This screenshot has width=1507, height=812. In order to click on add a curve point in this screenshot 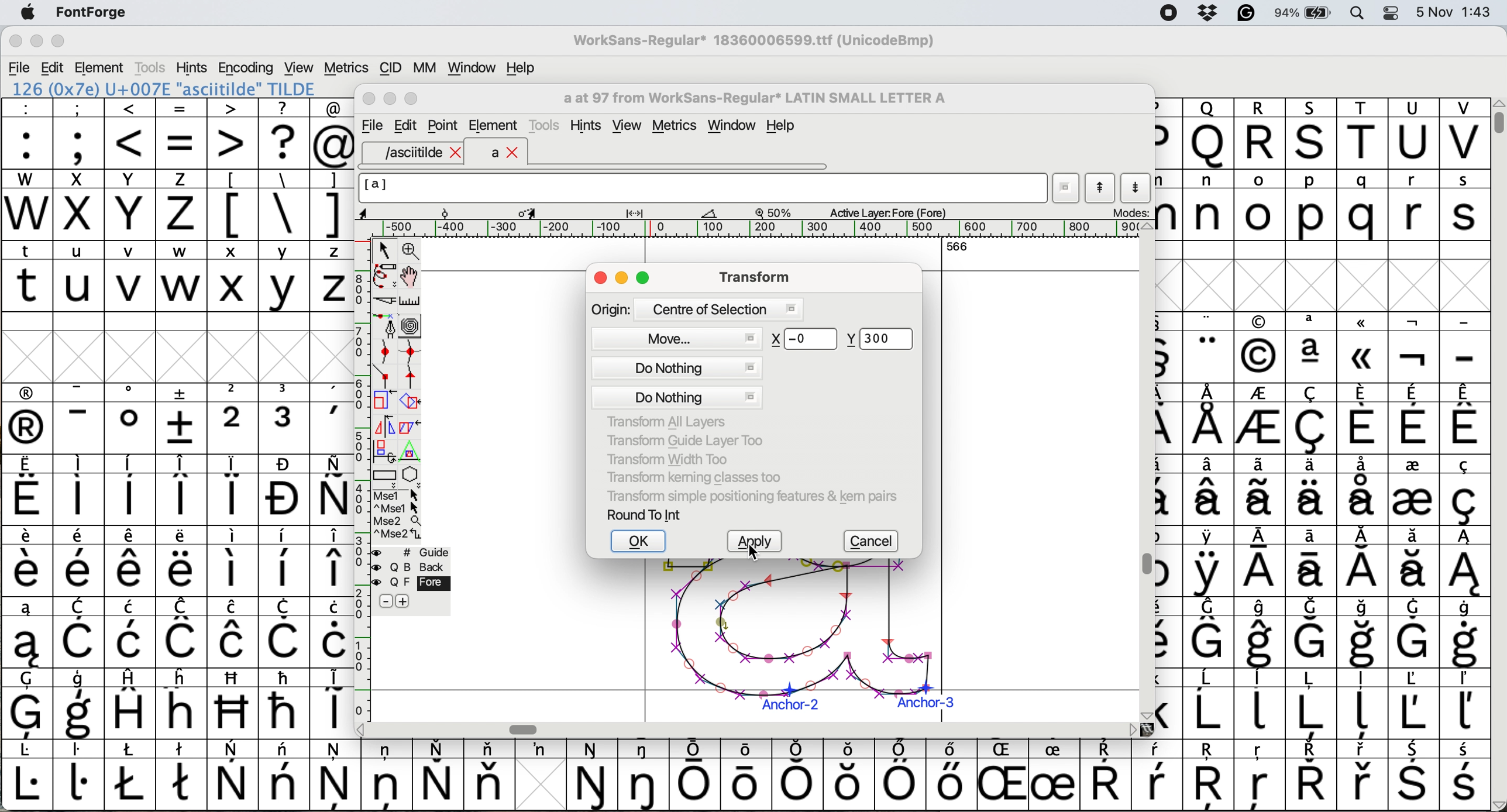, I will do `click(386, 352)`.